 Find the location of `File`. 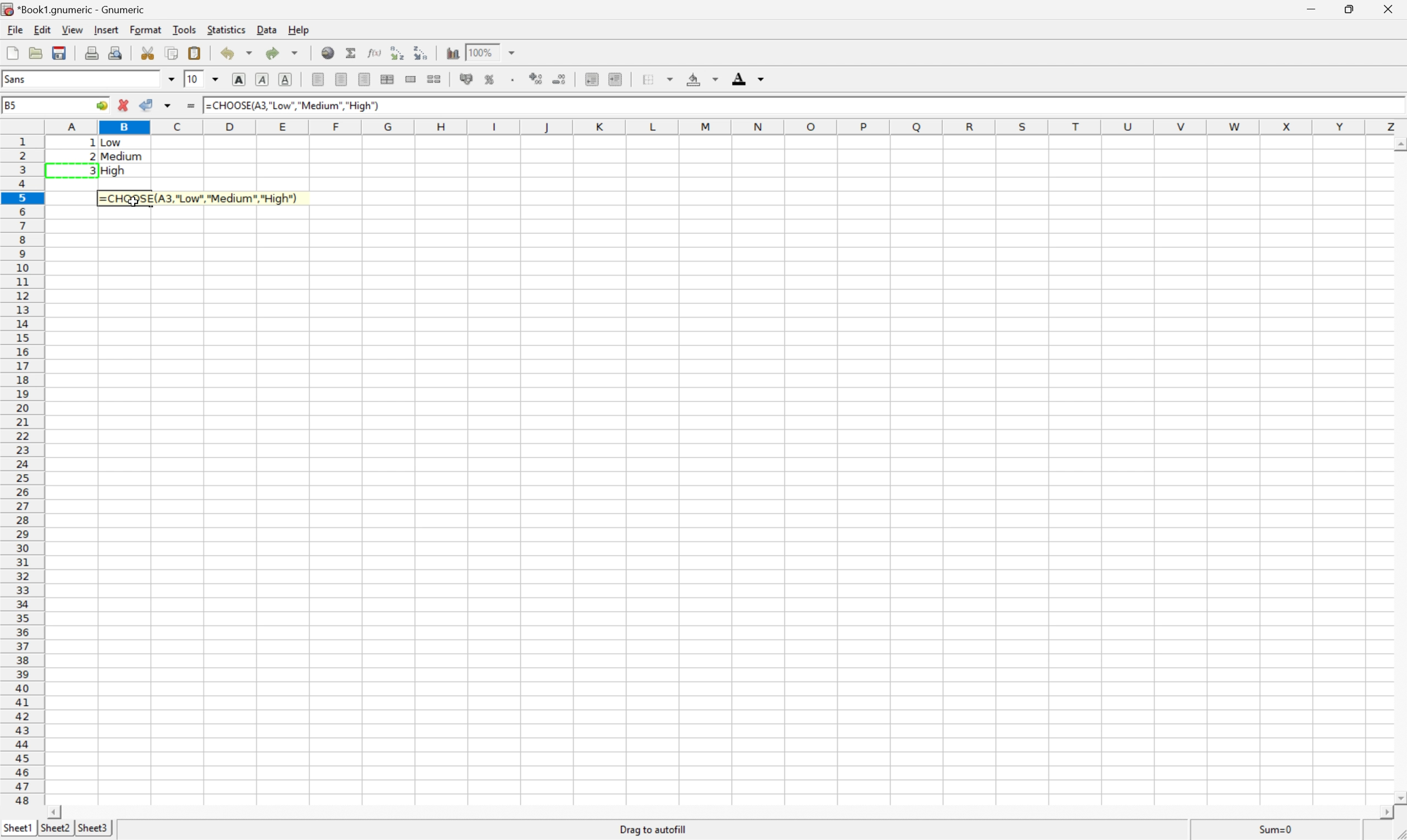

File is located at coordinates (14, 30).